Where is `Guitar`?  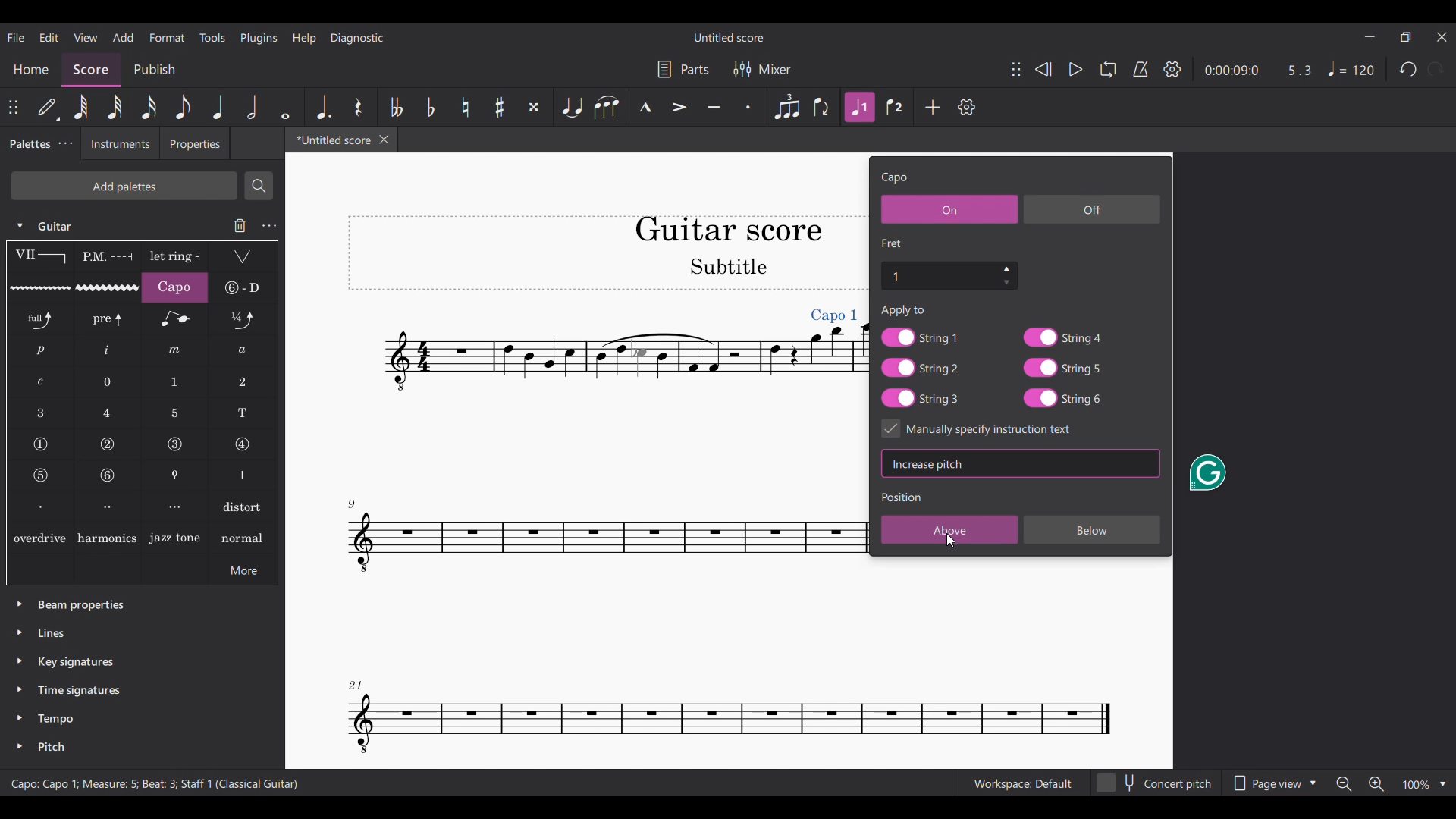
Guitar is located at coordinates (58, 226).